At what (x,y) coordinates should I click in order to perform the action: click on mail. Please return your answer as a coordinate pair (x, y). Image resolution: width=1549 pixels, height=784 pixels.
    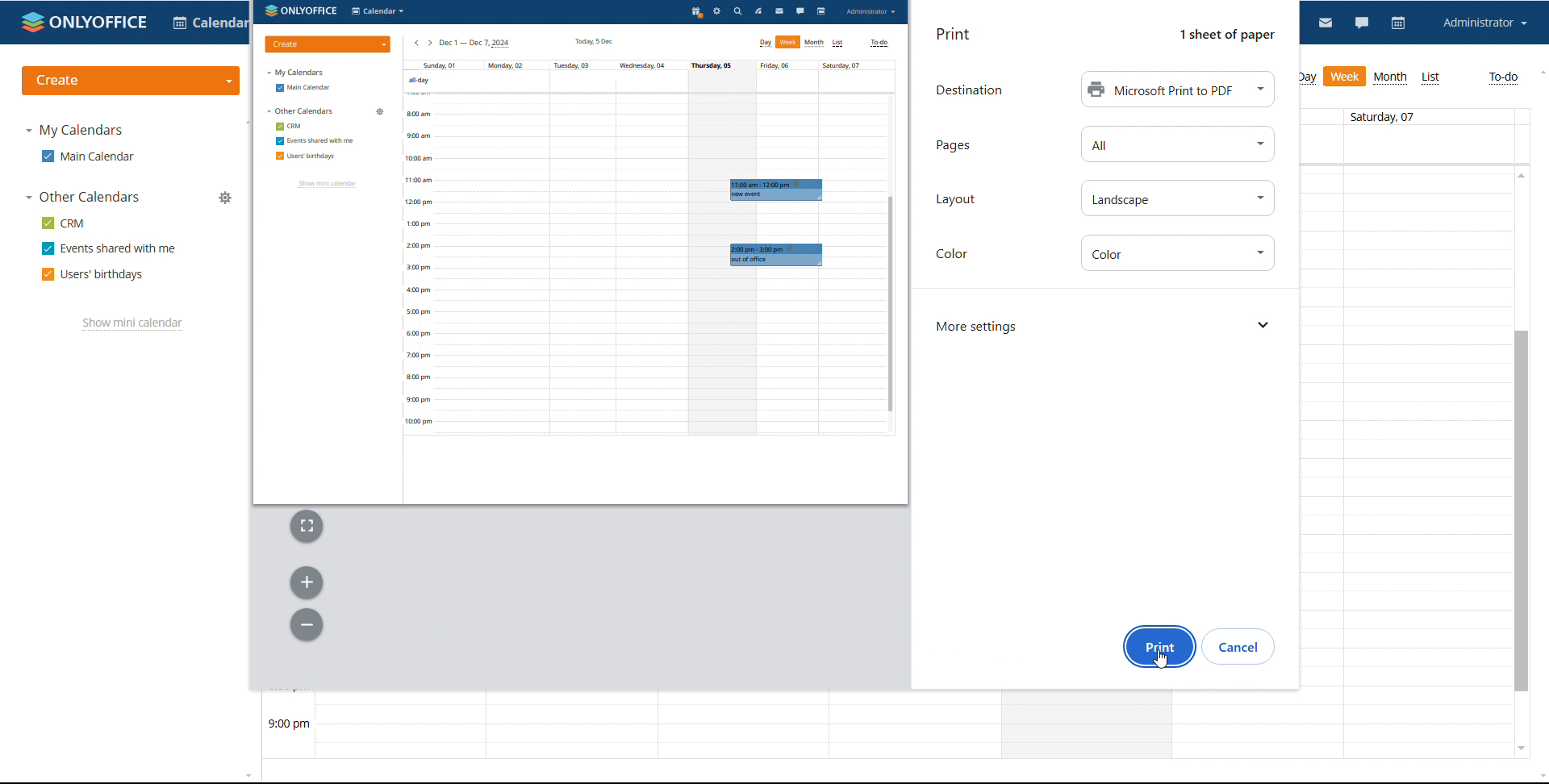
    Looking at the image, I should click on (1324, 25).